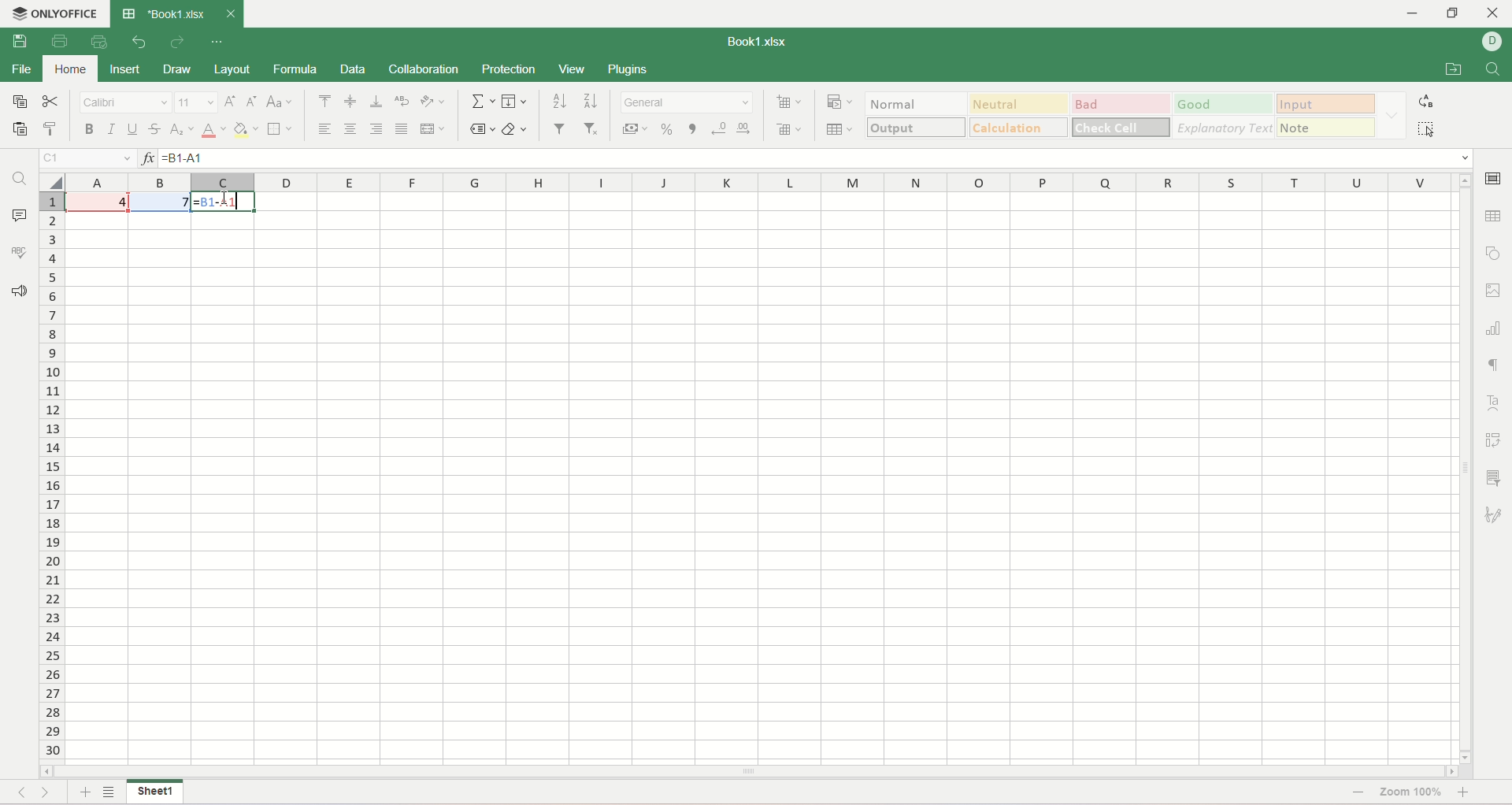 The image size is (1512, 805). Describe the element at coordinates (572, 71) in the screenshot. I see `view` at that location.